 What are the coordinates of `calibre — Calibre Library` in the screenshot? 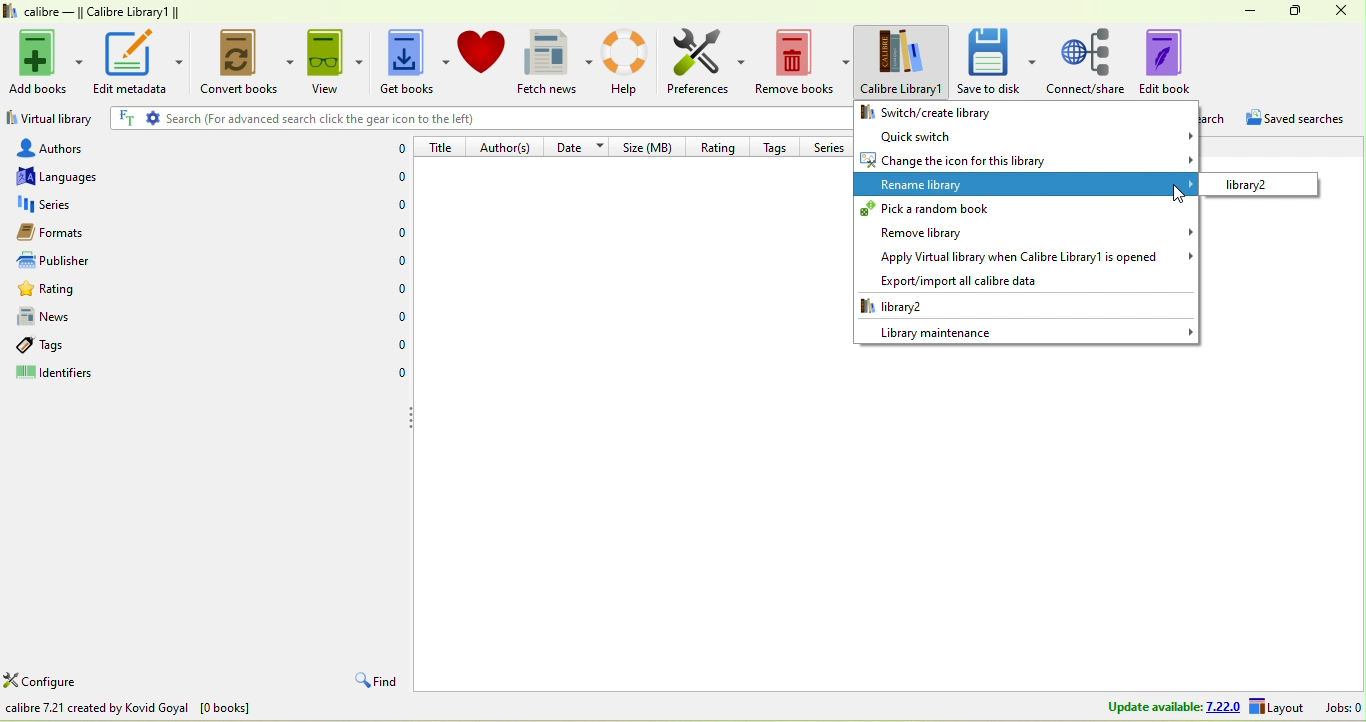 It's located at (88, 12).